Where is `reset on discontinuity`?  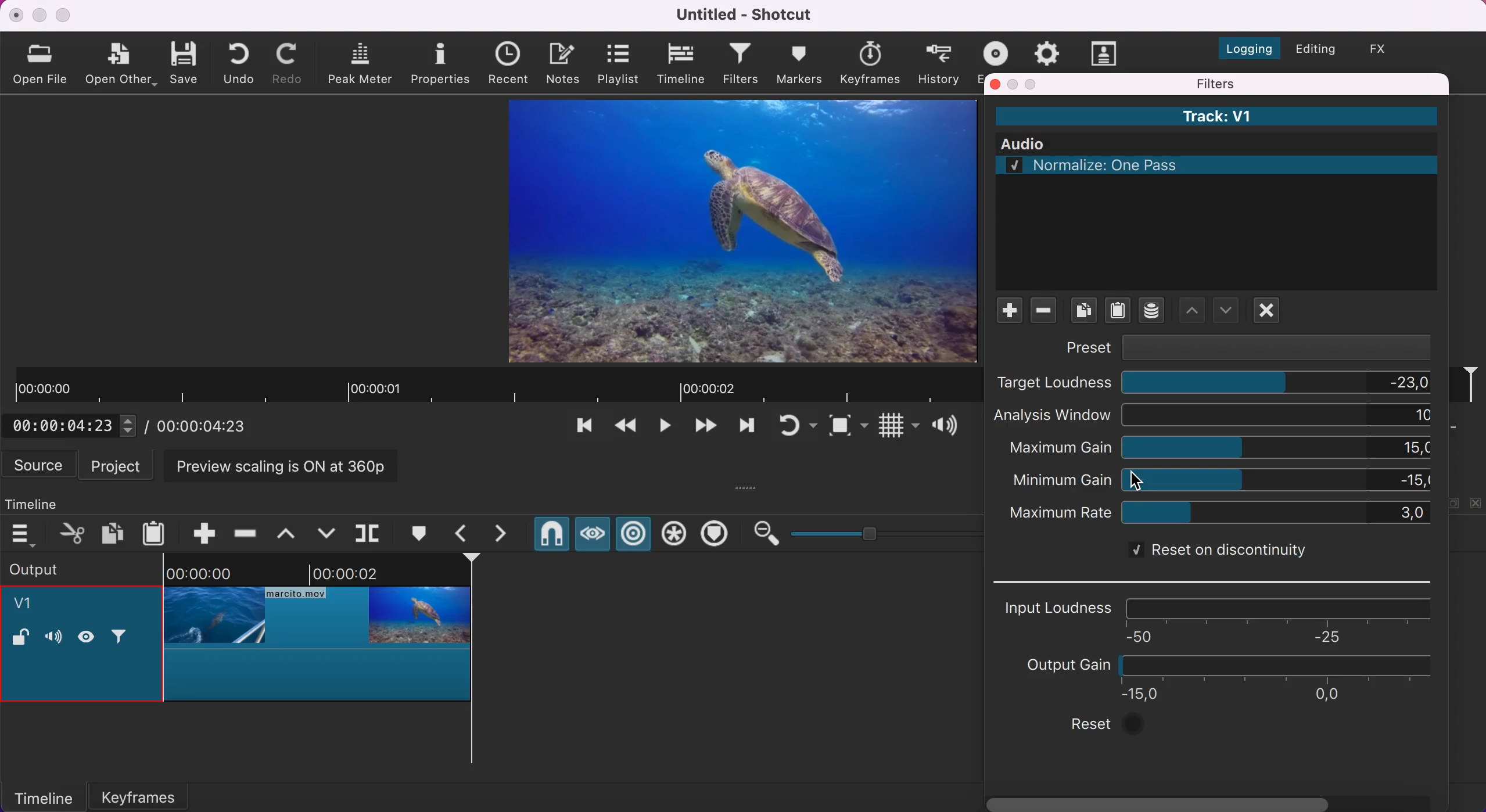
reset on discontinuity is located at coordinates (1213, 552).